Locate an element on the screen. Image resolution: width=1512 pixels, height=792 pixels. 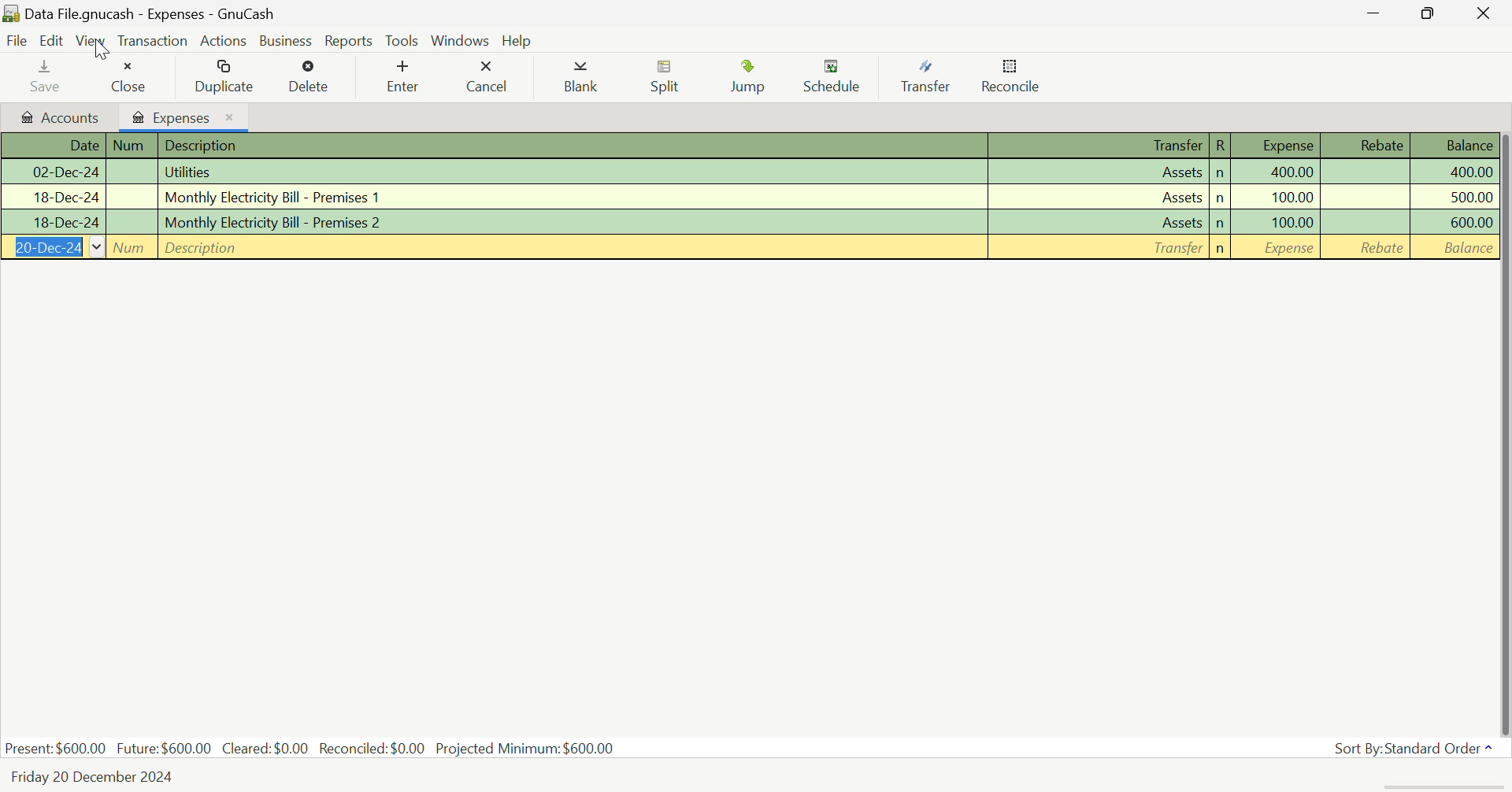
Scroll Bar is located at coordinates (1503, 433).